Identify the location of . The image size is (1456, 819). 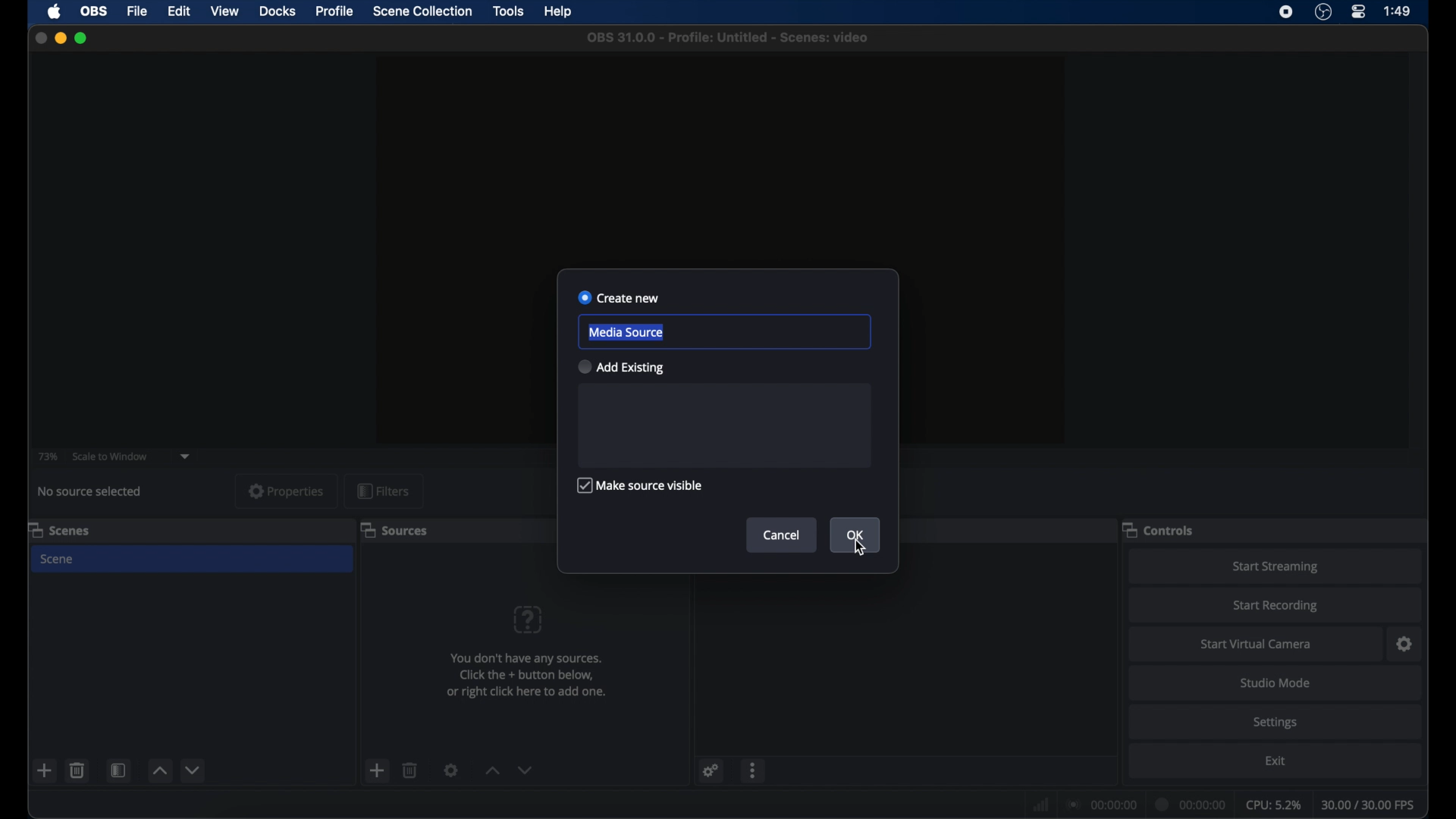
(1101, 804).